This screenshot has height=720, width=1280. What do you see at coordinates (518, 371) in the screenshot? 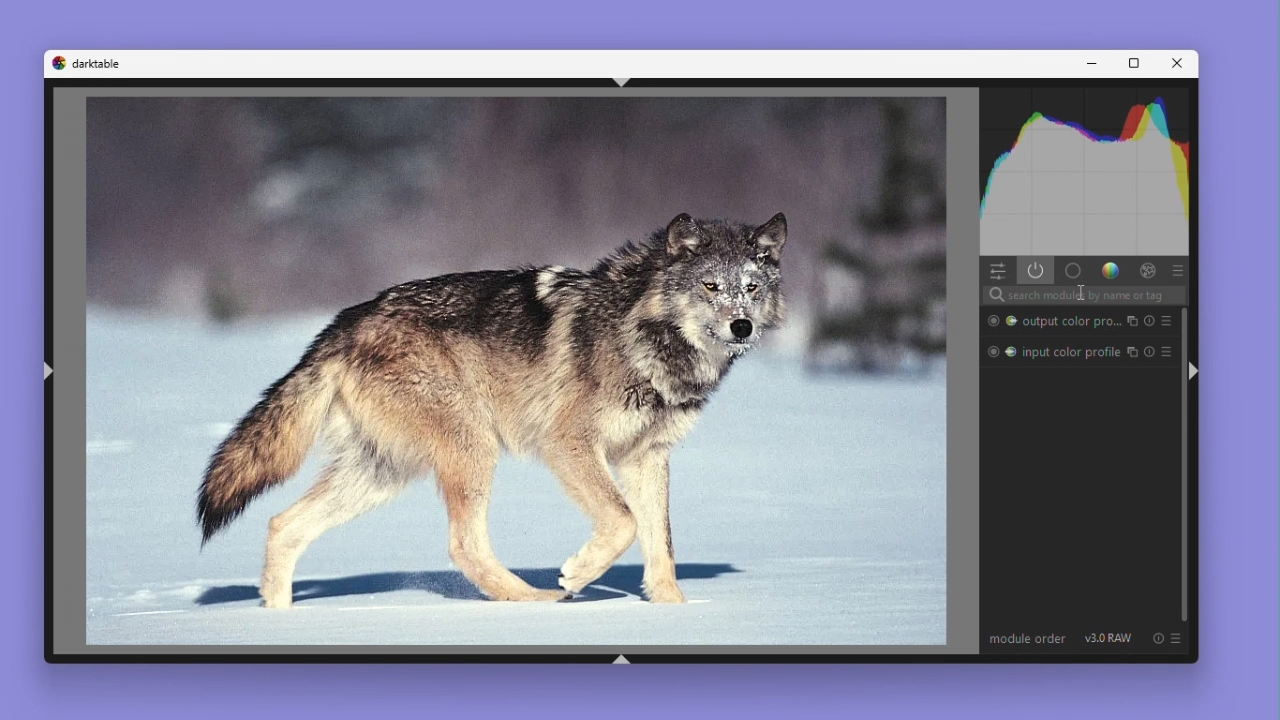
I see `Image` at bounding box center [518, 371].